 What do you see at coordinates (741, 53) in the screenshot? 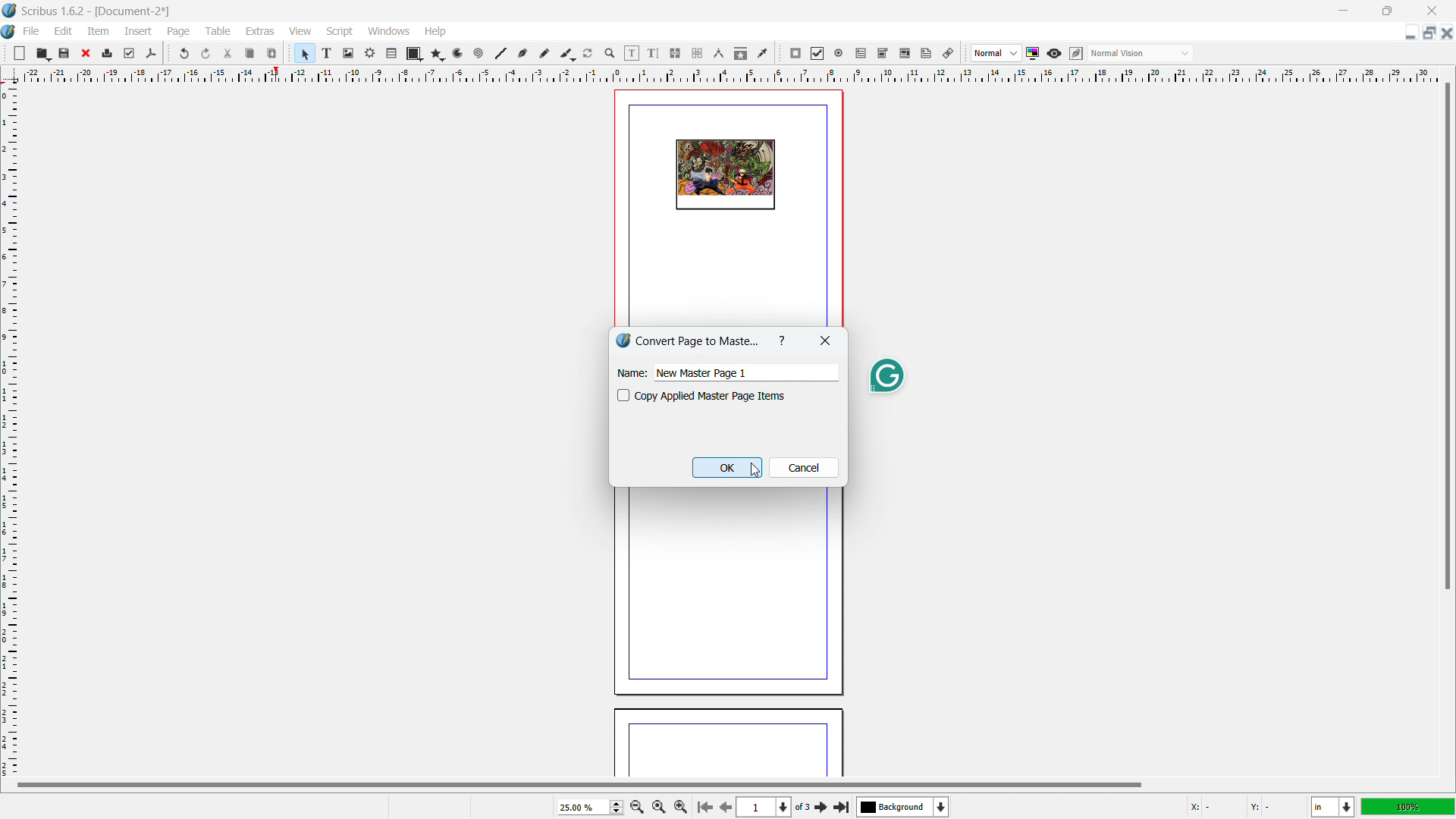
I see `copy item properties` at bounding box center [741, 53].